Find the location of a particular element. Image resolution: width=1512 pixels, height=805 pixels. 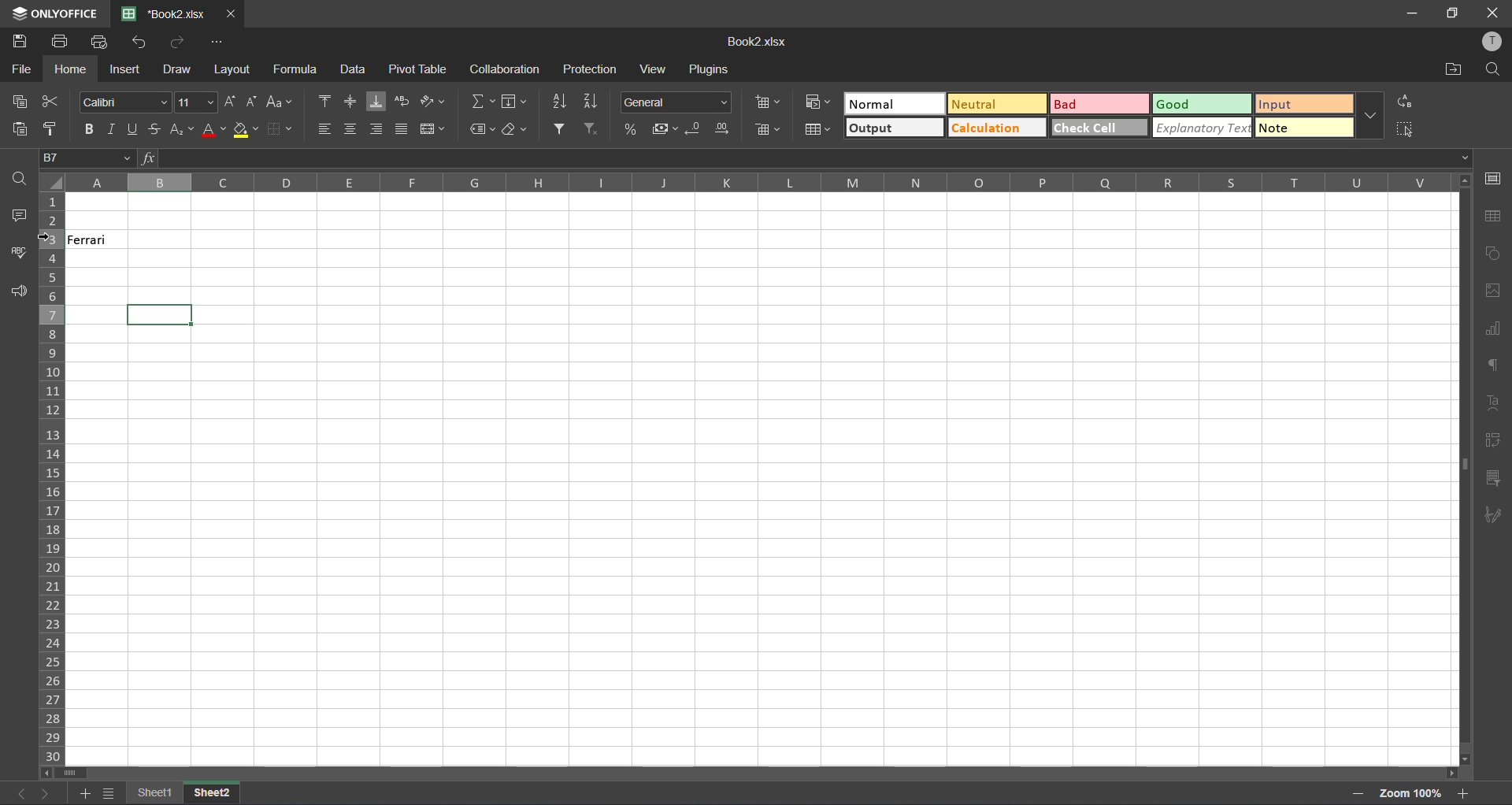

slicer is located at coordinates (1494, 478).